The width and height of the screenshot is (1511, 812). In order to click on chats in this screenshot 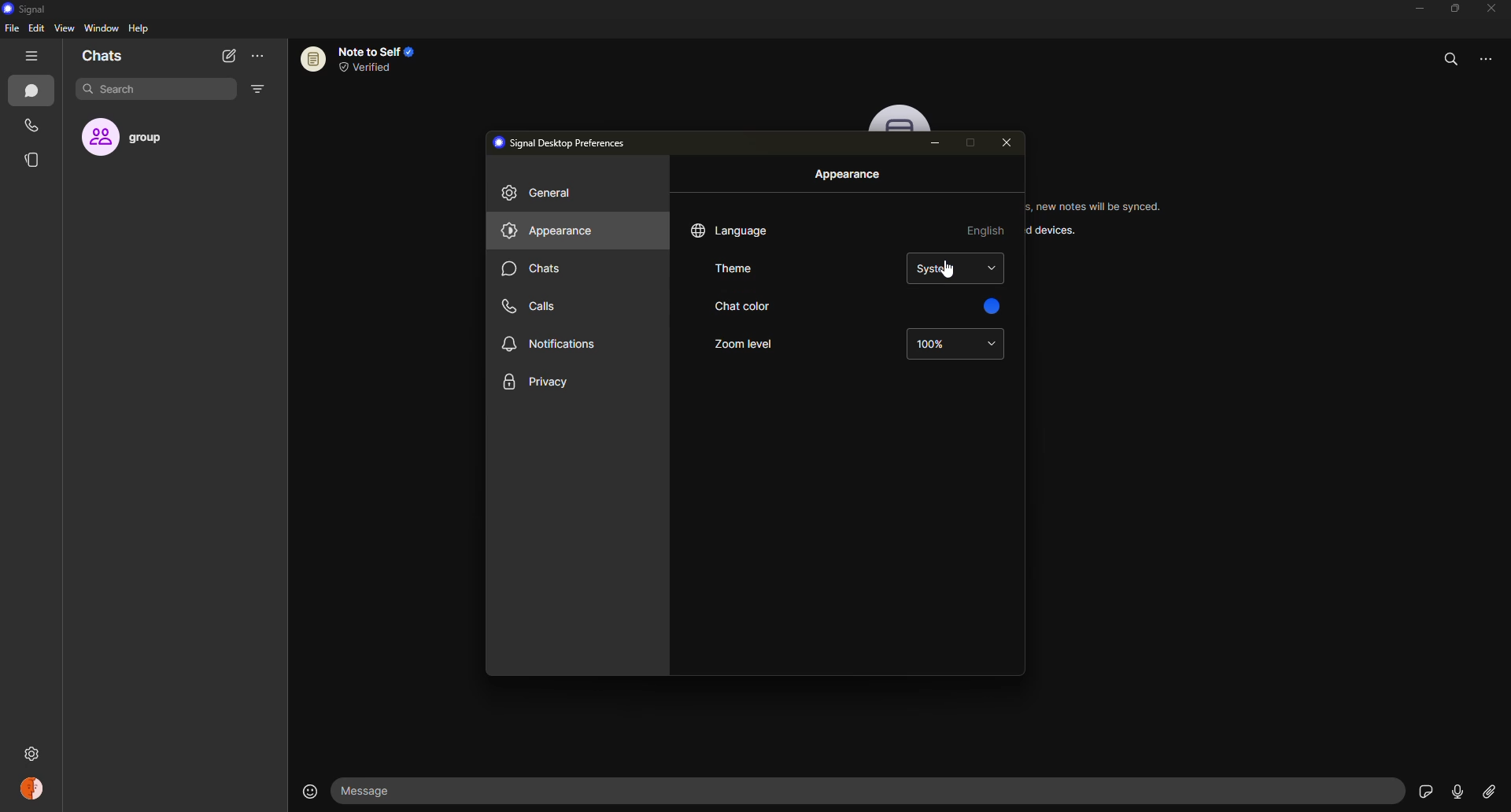, I will do `click(102, 57)`.